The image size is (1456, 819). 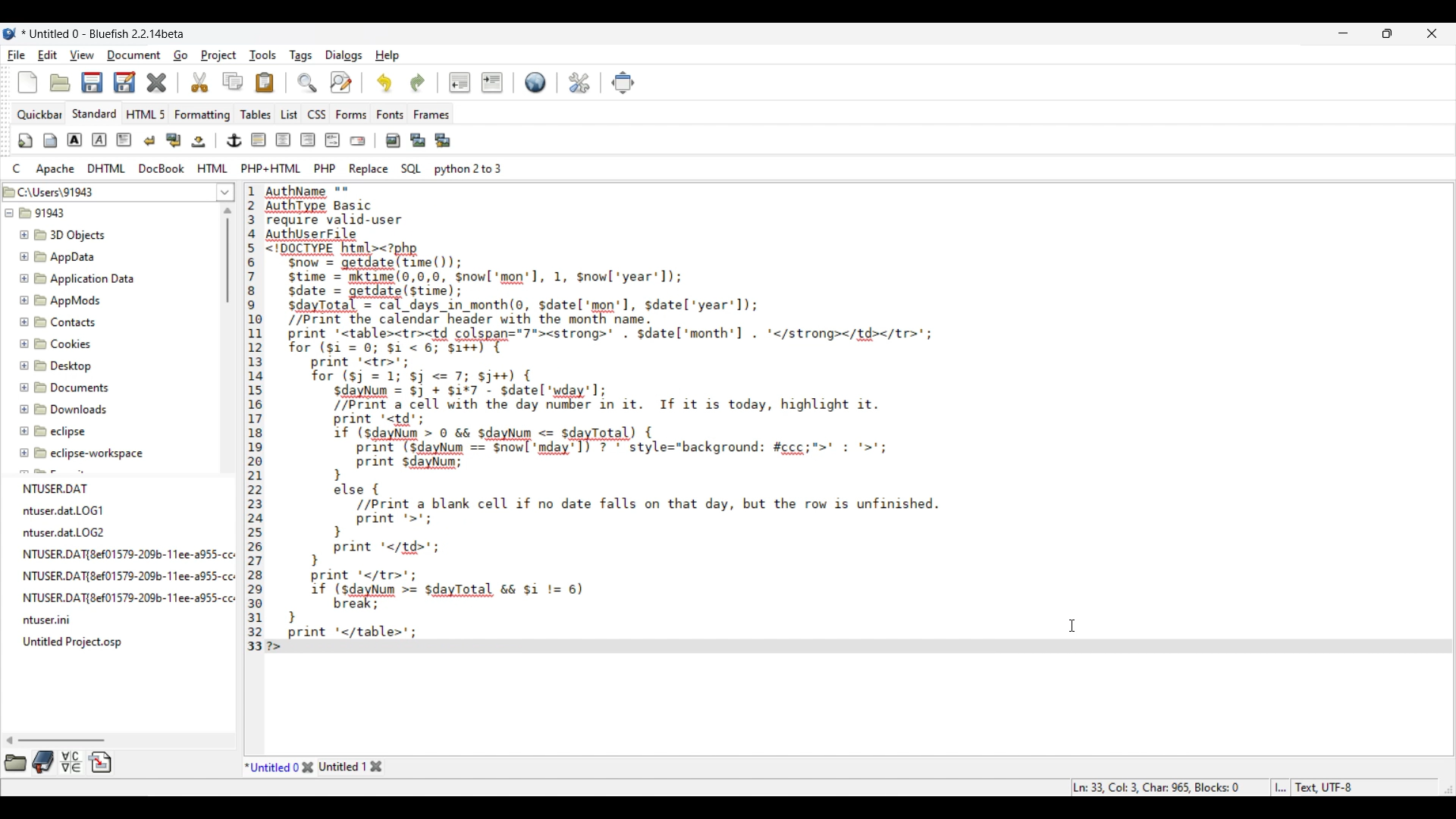 I want to click on Tables menu, so click(x=256, y=115).